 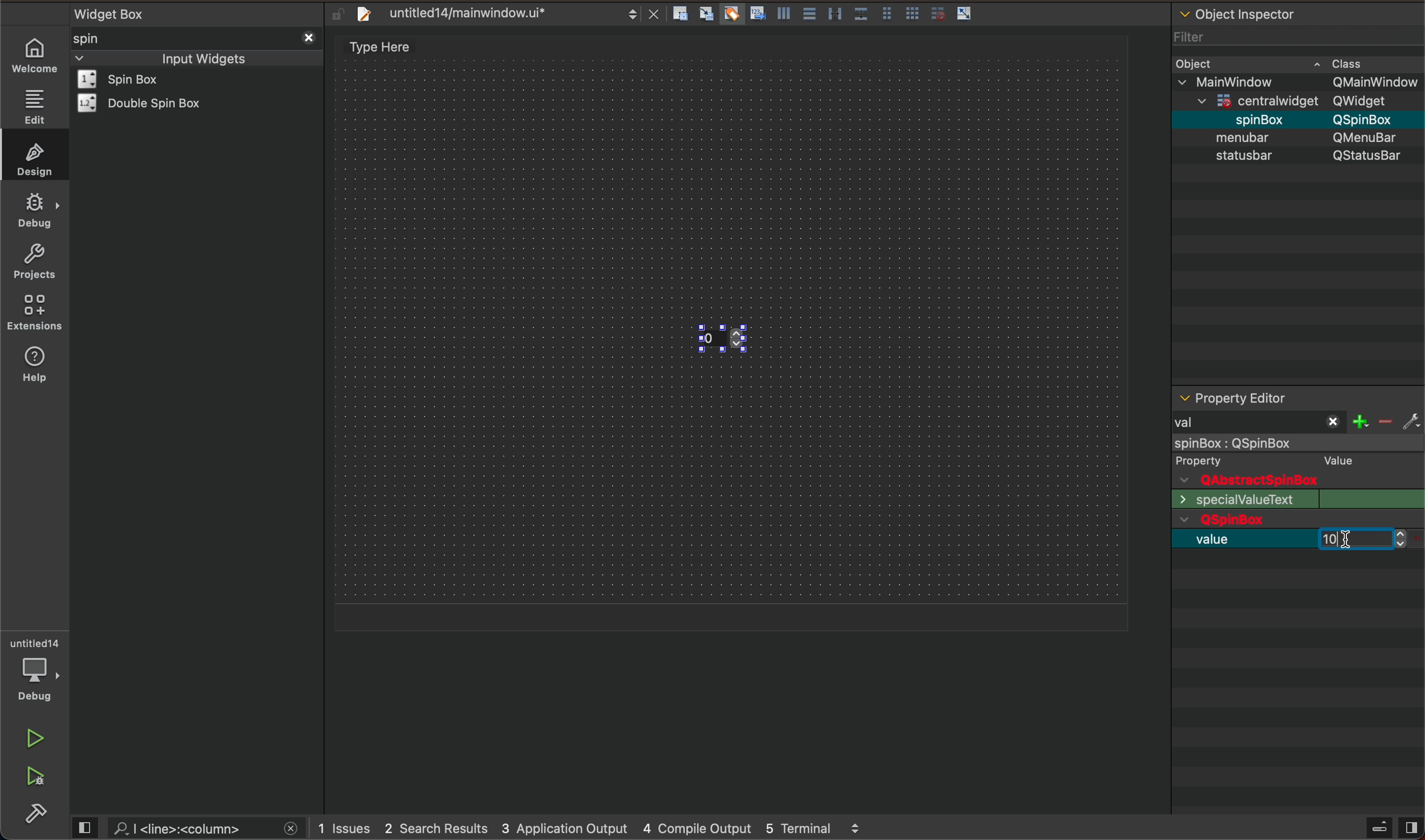 What do you see at coordinates (33, 739) in the screenshot?
I see `run` at bounding box center [33, 739].